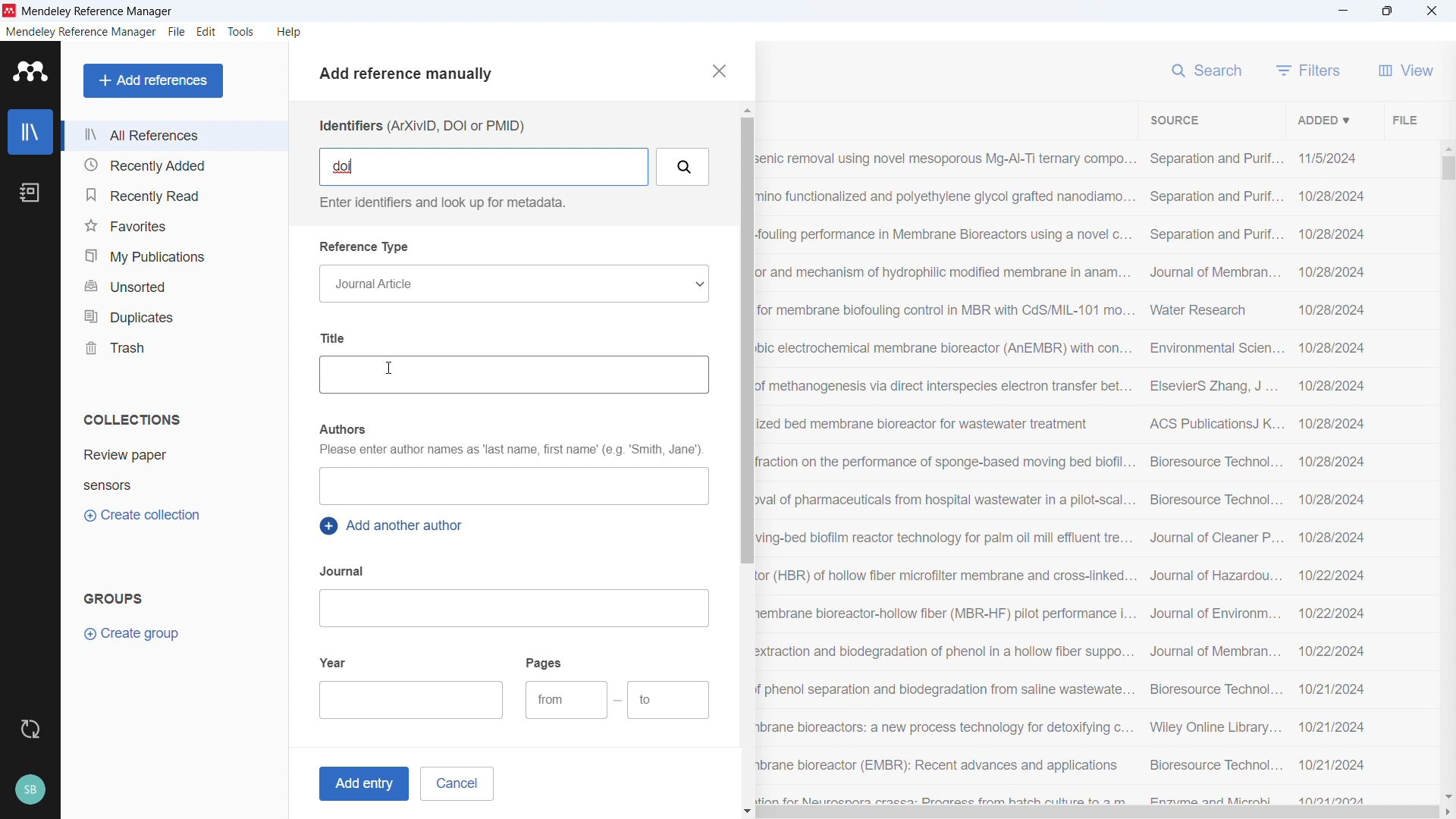 The height and width of the screenshot is (819, 1456). What do you see at coordinates (745, 340) in the screenshot?
I see `Vertical scroll bar` at bounding box center [745, 340].